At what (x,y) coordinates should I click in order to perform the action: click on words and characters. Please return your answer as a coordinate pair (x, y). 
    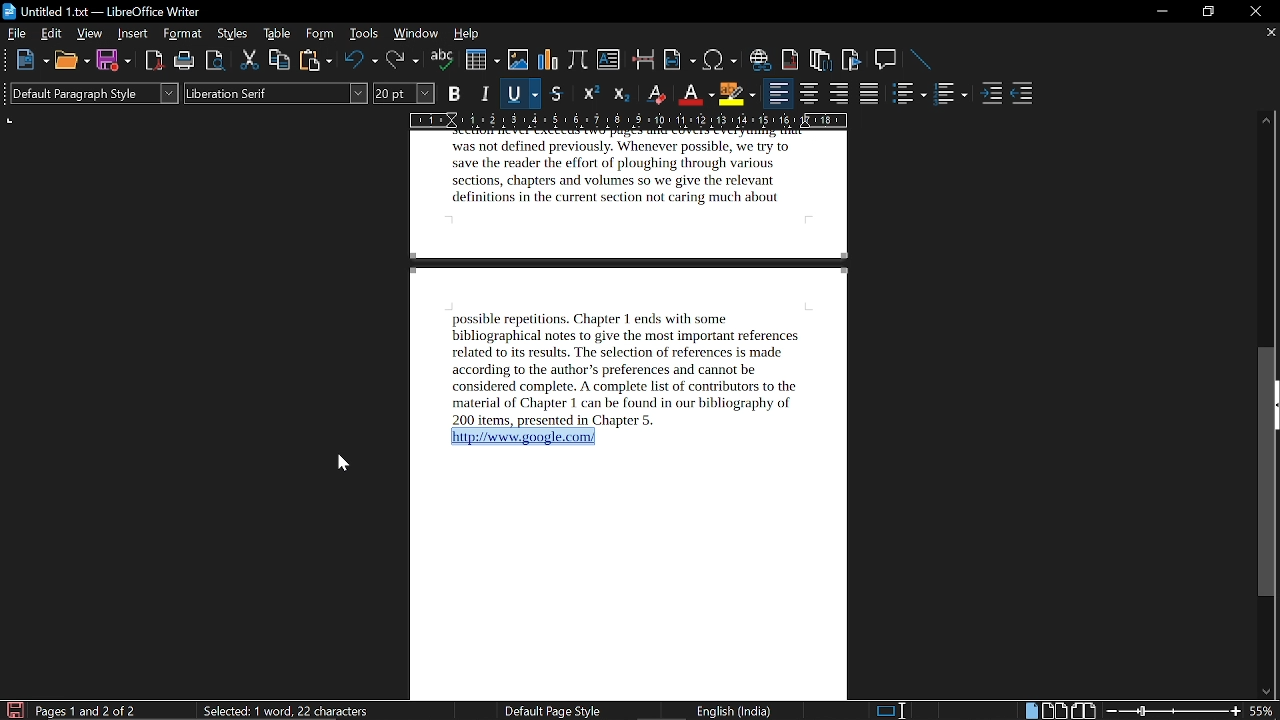
    Looking at the image, I should click on (276, 710).